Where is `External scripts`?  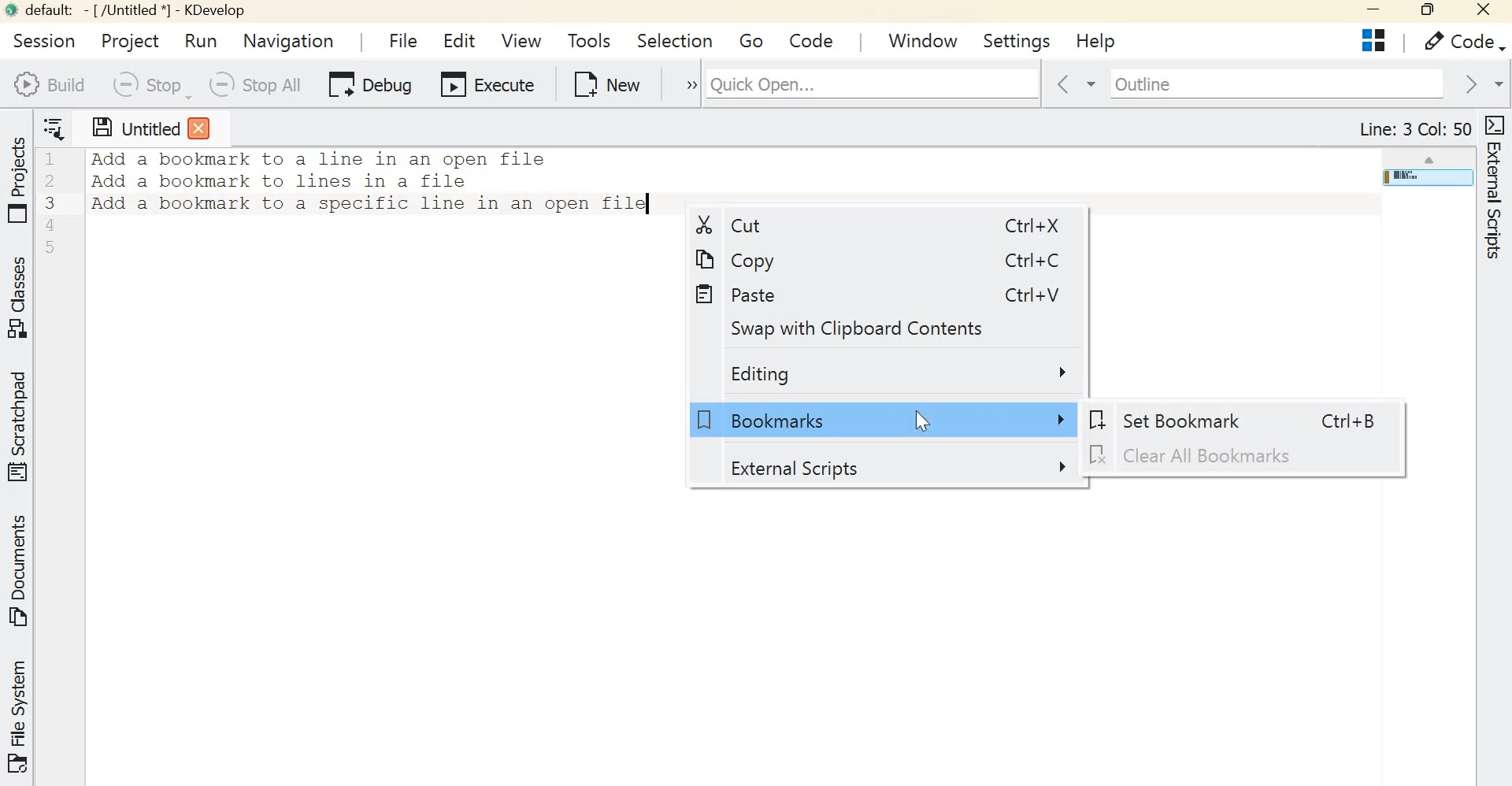 External scripts is located at coordinates (1497, 199).